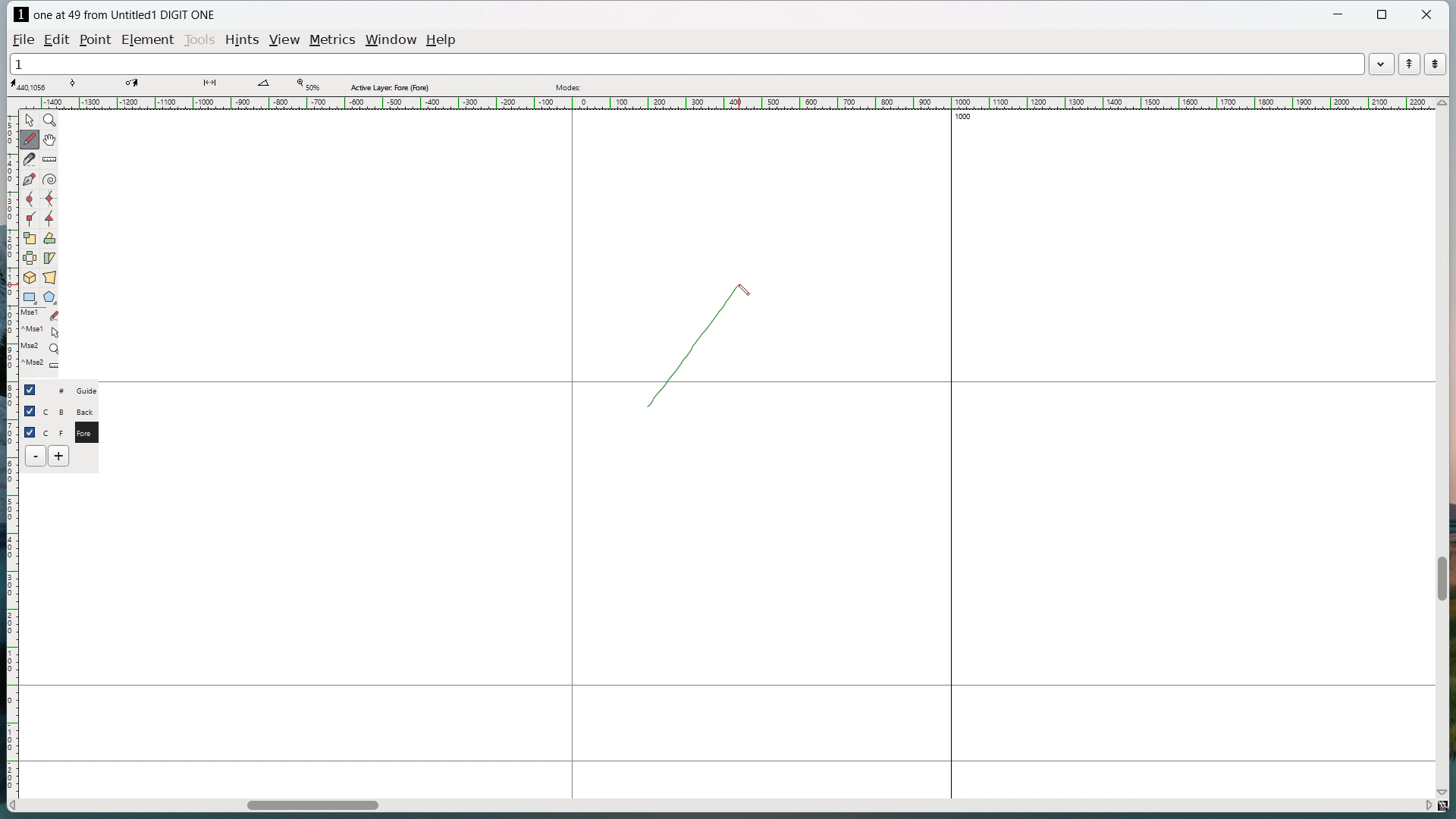 The image size is (1456, 819). What do you see at coordinates (1426, 804) in the screenshot?
I see `scroll right` at bounding box center [1426, 804].